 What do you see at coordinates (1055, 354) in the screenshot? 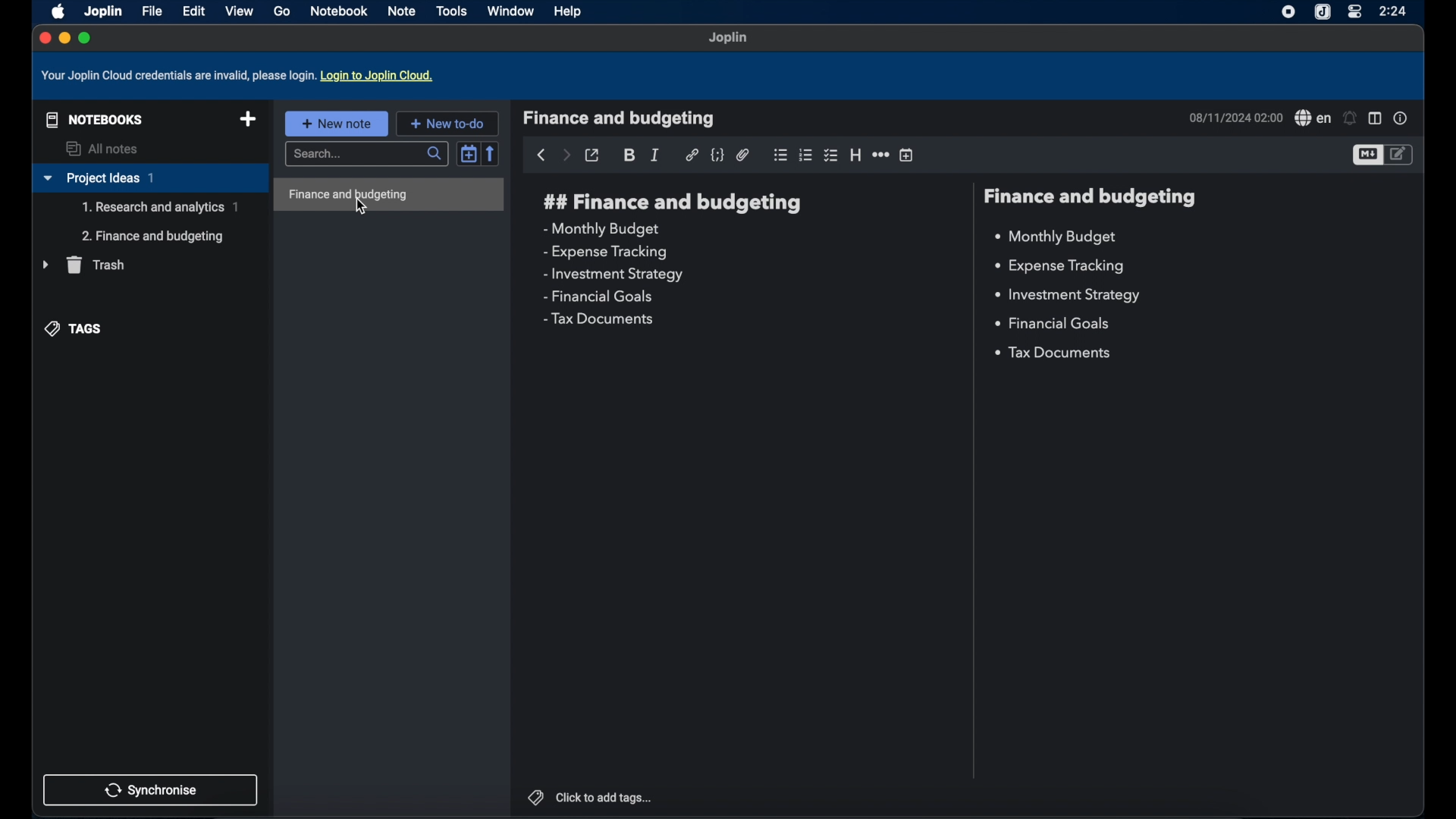
I see `tax documents` at bounding box center [1055, 354].